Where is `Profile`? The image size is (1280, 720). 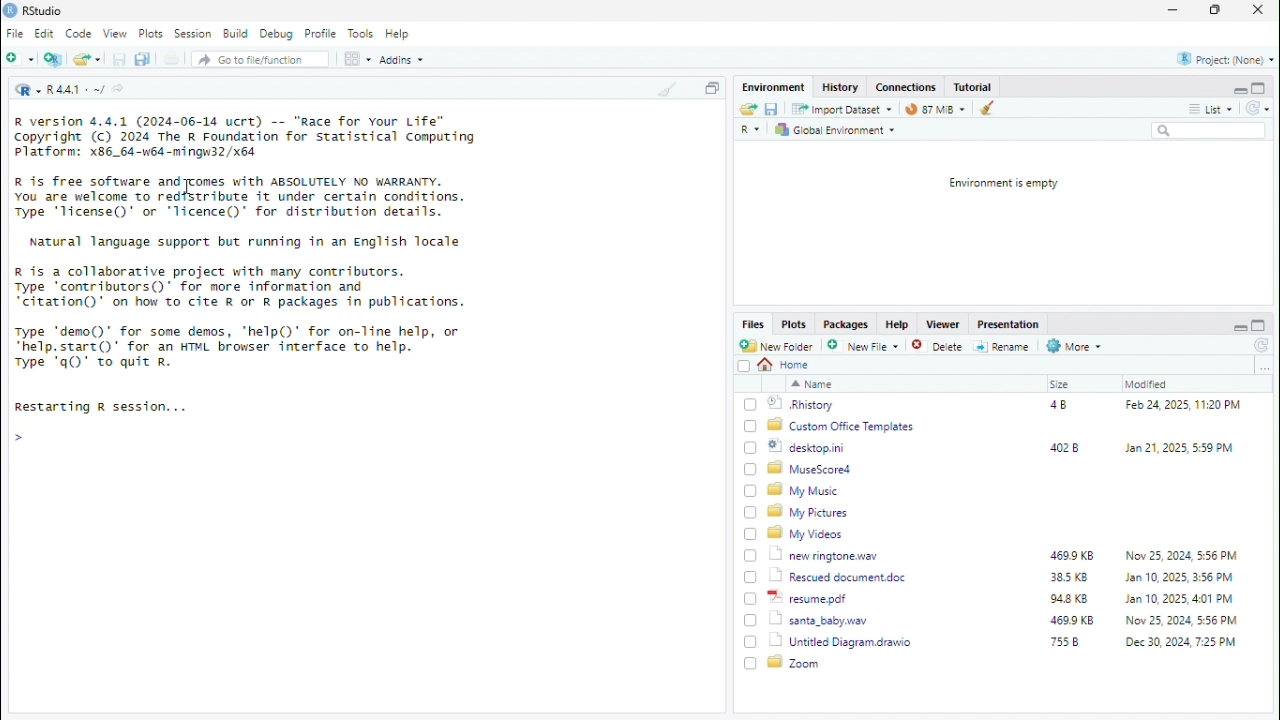 Profile is located at coordinates (323, 34).